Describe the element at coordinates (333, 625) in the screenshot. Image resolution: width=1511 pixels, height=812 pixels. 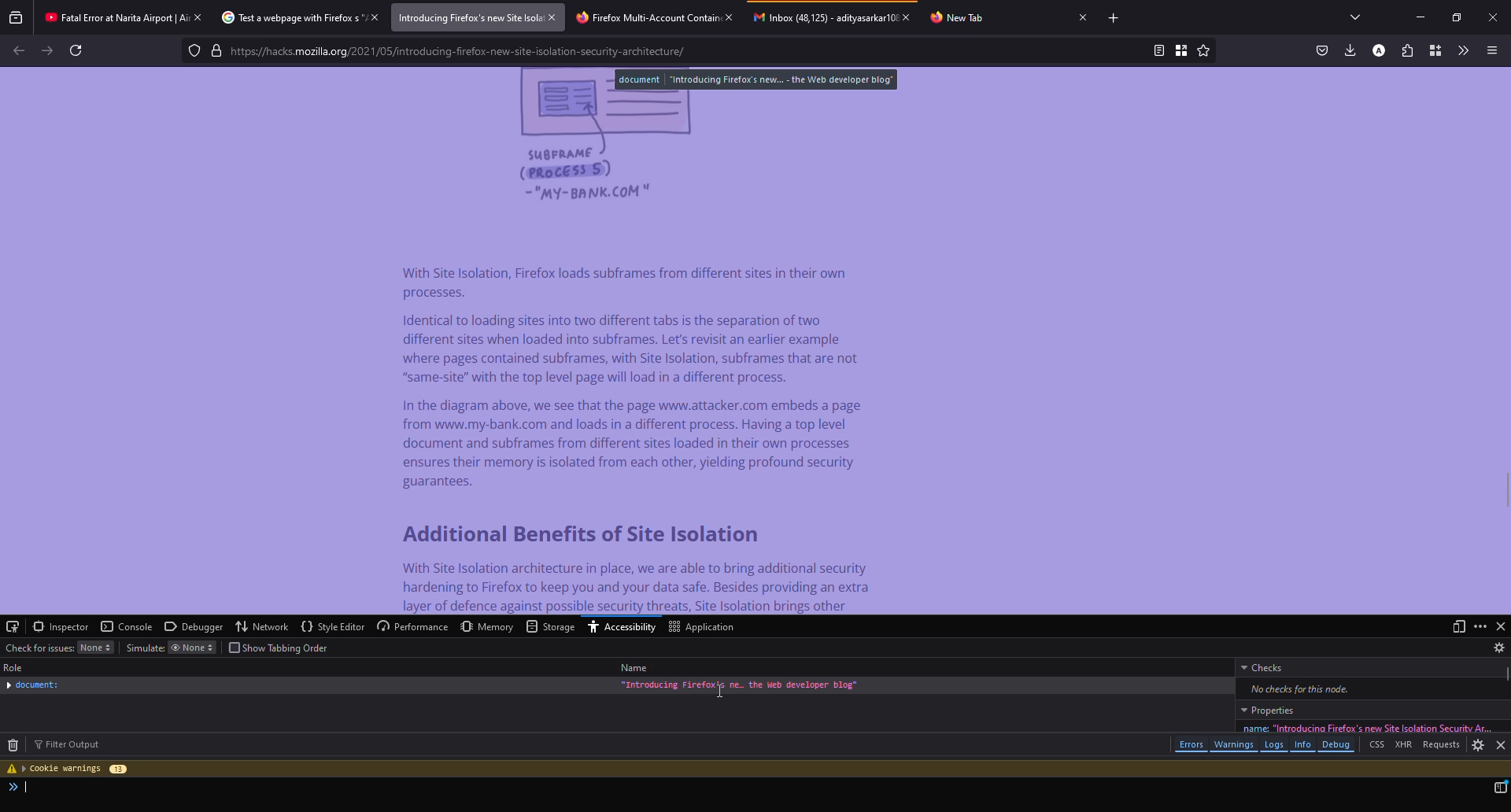
I see `style editor` at that location.